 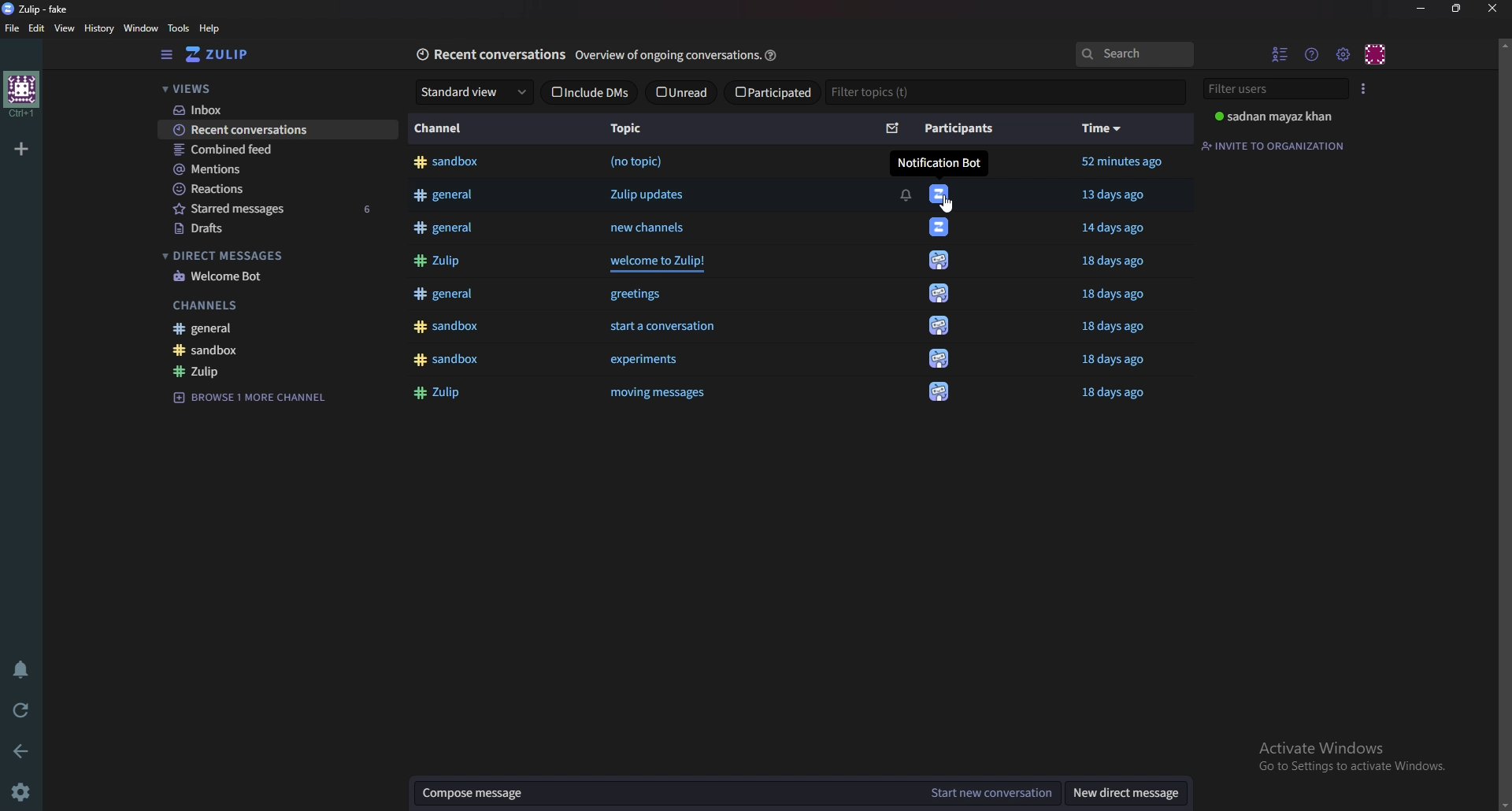 I want to click on Sandbox, so click(x=262, y=350).